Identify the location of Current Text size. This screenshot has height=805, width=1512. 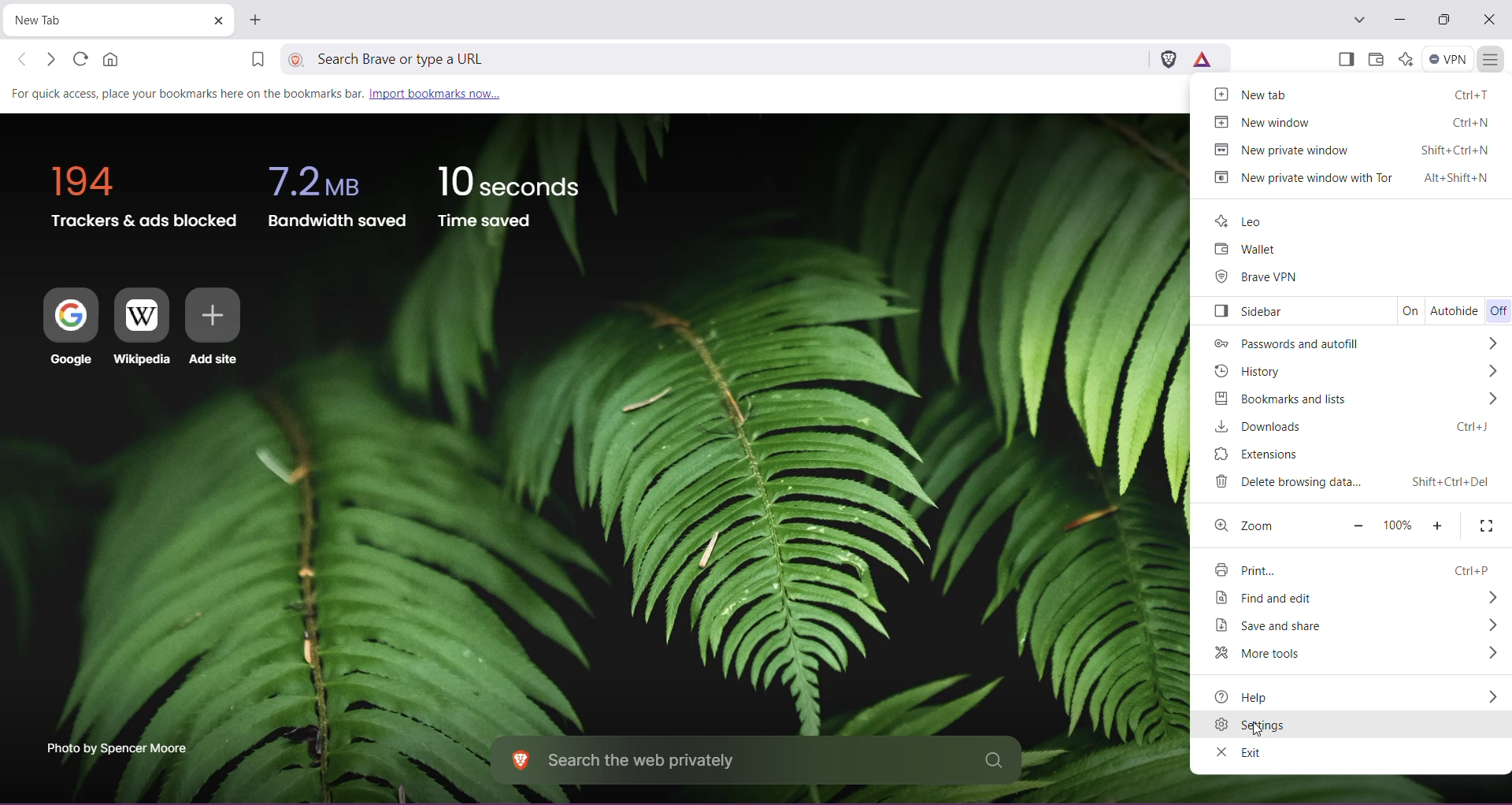
(1395, 525).